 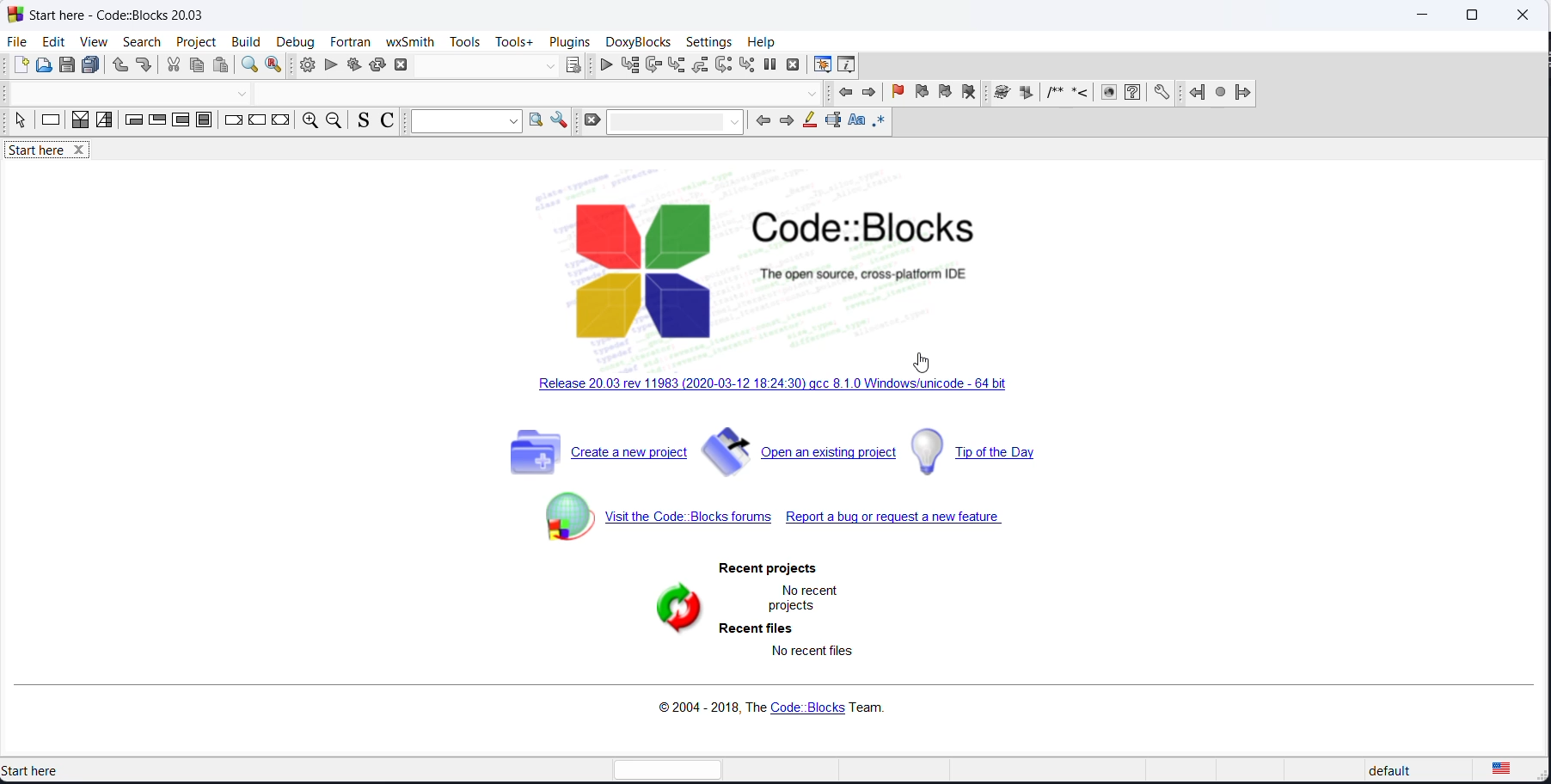 I want to click on remove bookmark, so click(x=970, y=94).